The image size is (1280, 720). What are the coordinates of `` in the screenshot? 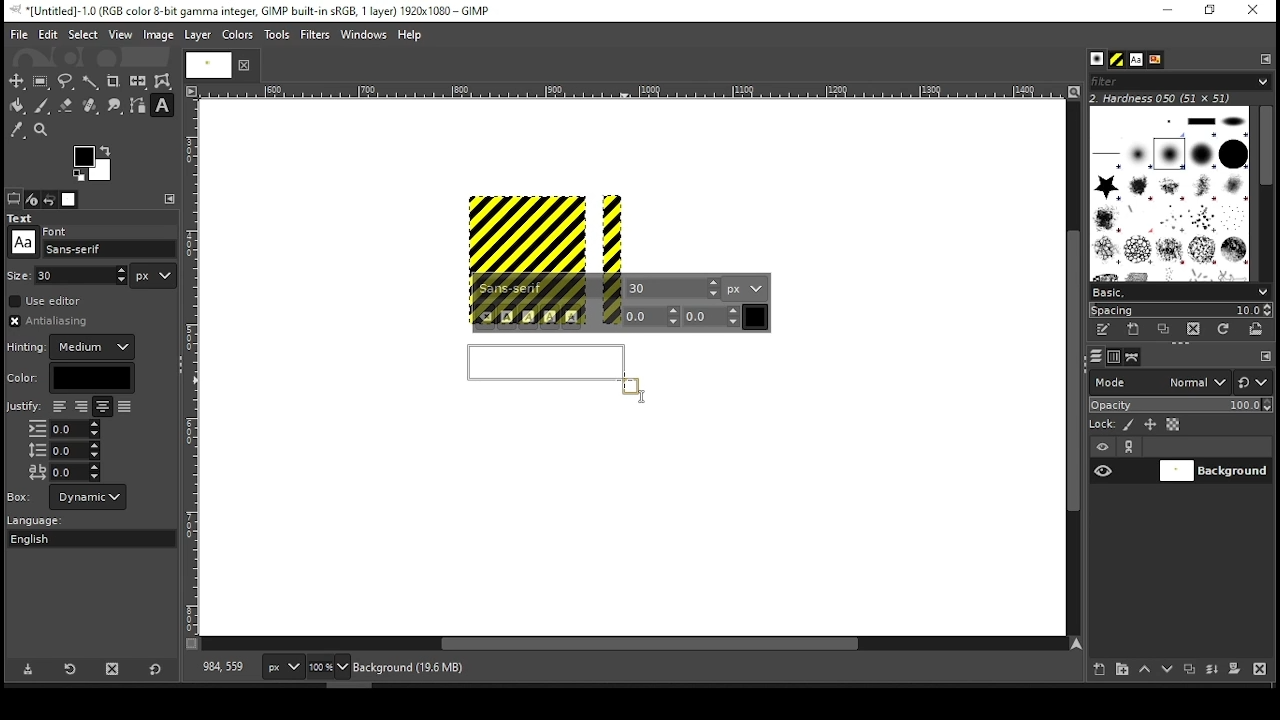 It's located at (19, 274).